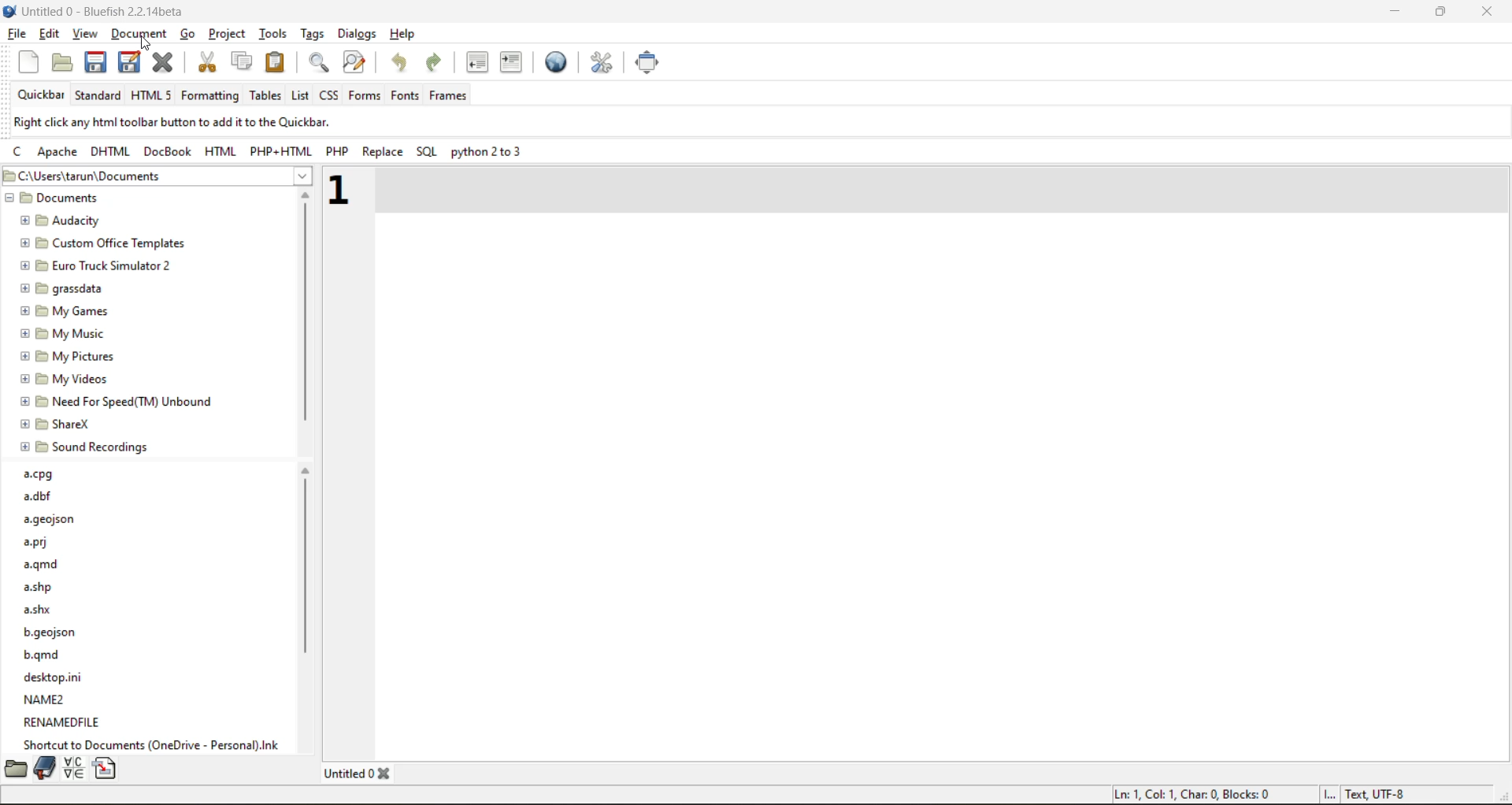 Image resolution: width=1512 pixels, height=805 pixels. What do you see at coordinates (45, 655) in the screenshot?
I see `b.qmd` at bounding box center [45, 655].